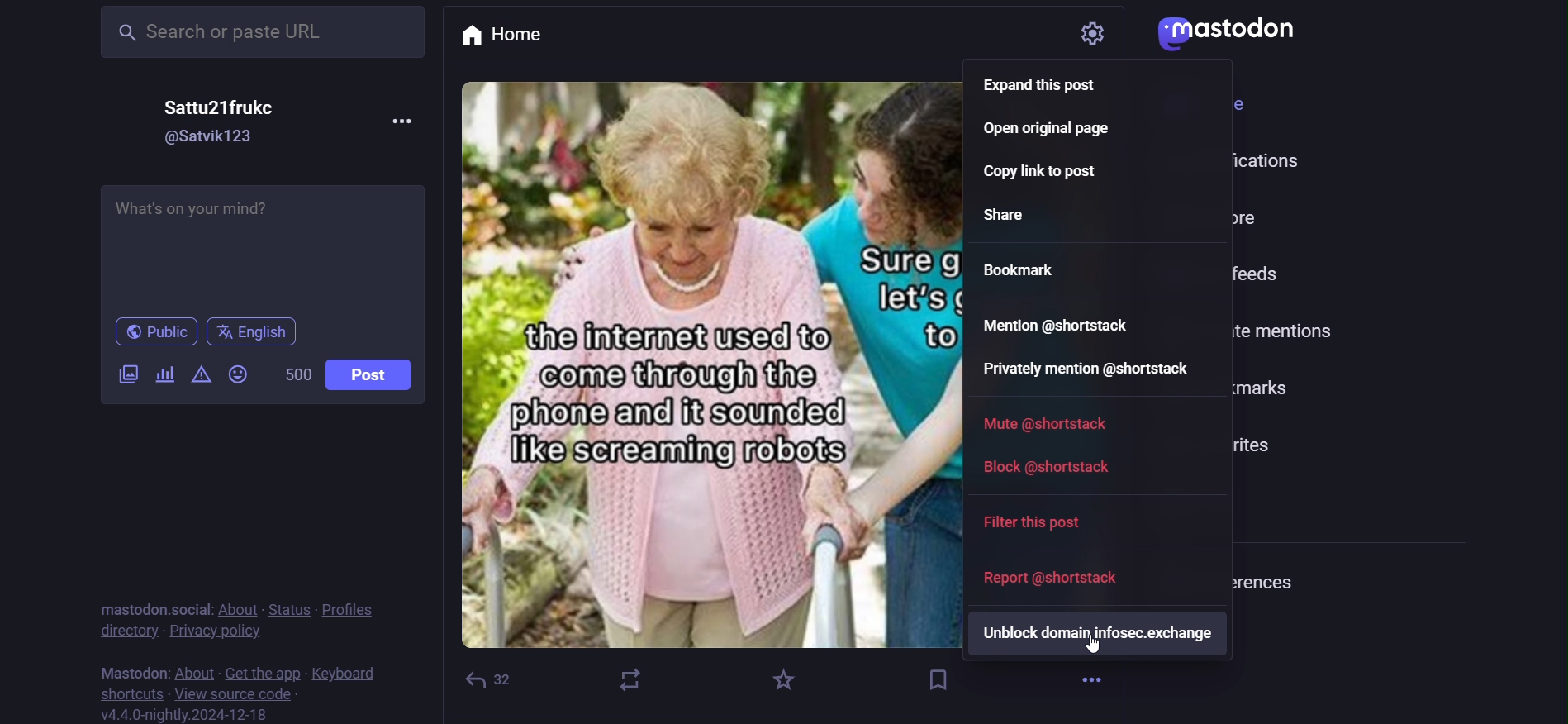 The height and width of the screenshot is (724, 1568). What do you see at coordinates (1057, 324) in the screenshot?
I see `mention @shortstack` at bounding box center [1057, 324].